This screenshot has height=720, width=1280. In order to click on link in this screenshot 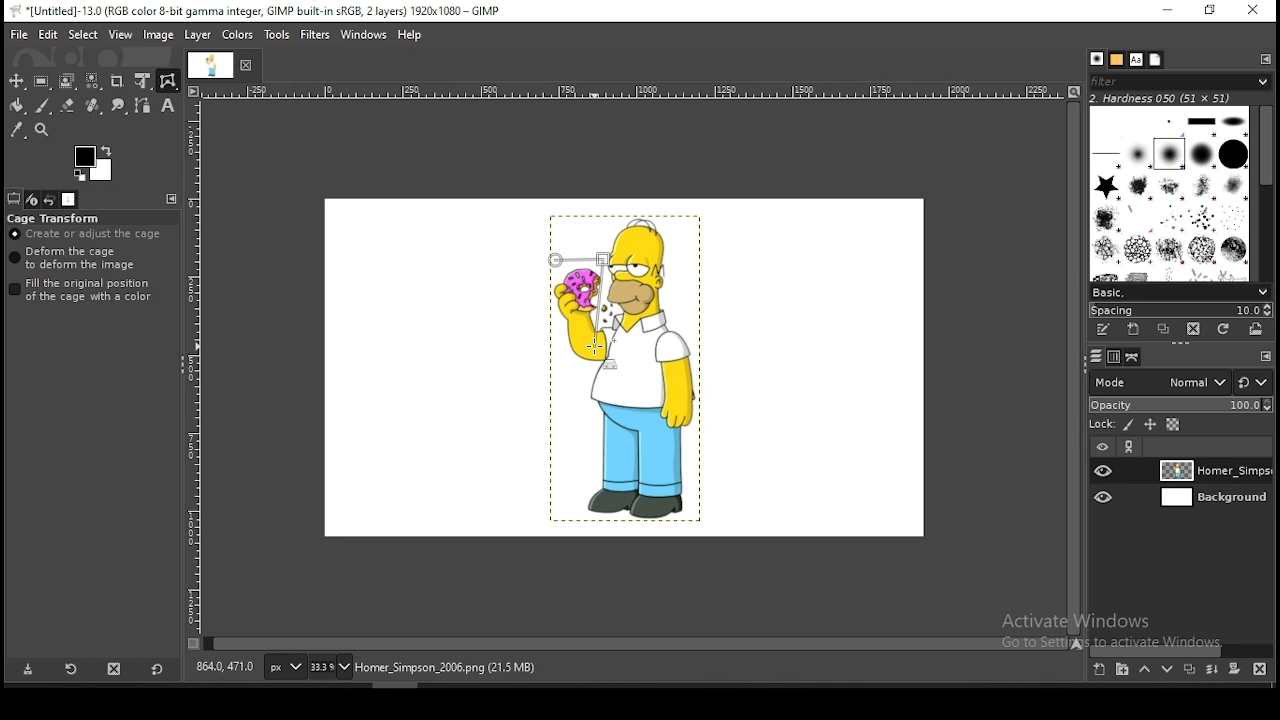, I will do `click(1131, 448)`.